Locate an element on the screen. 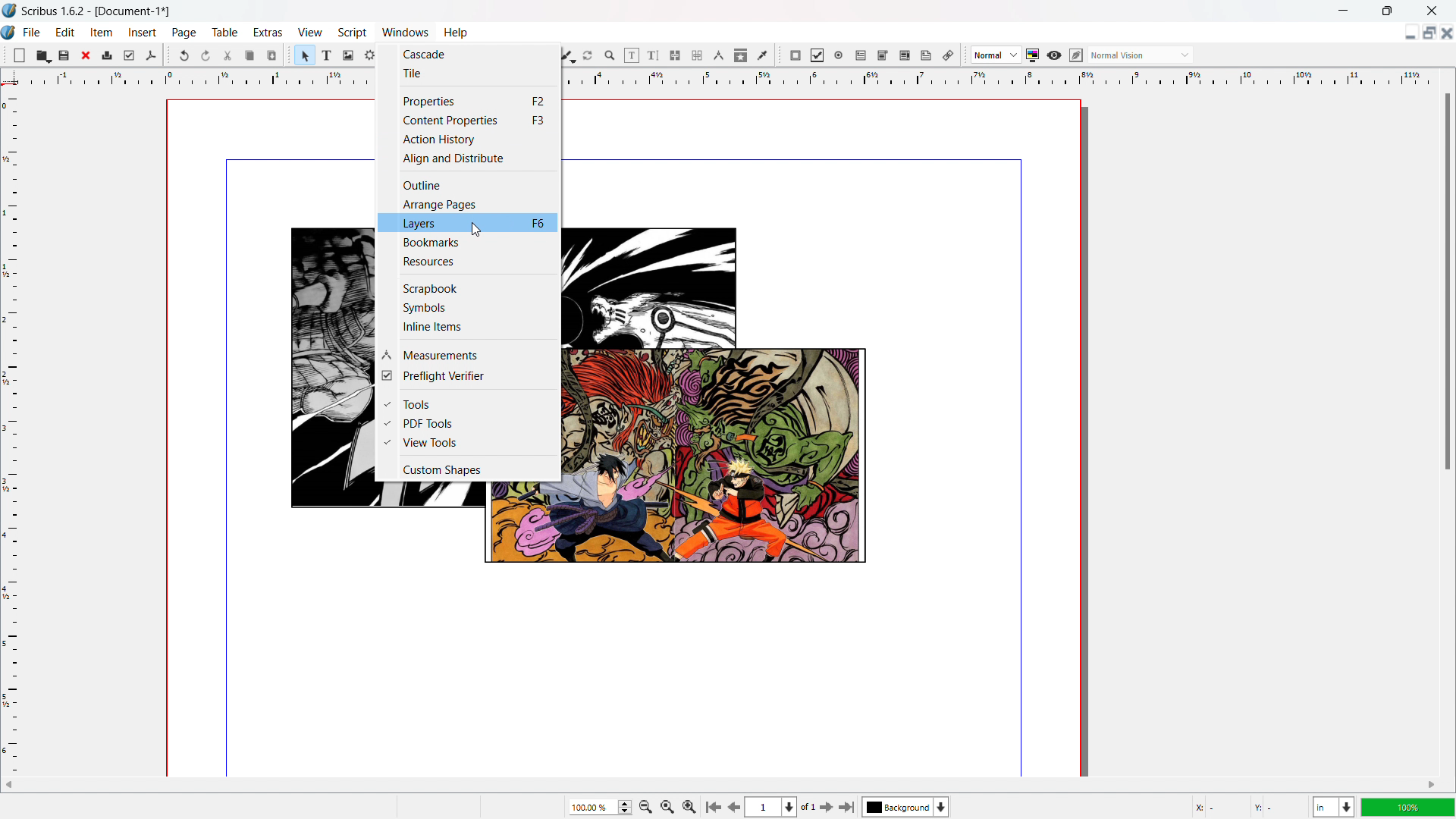 This screenshot has width=1456, height=819. rotate item is located at coordinates (589, 55).